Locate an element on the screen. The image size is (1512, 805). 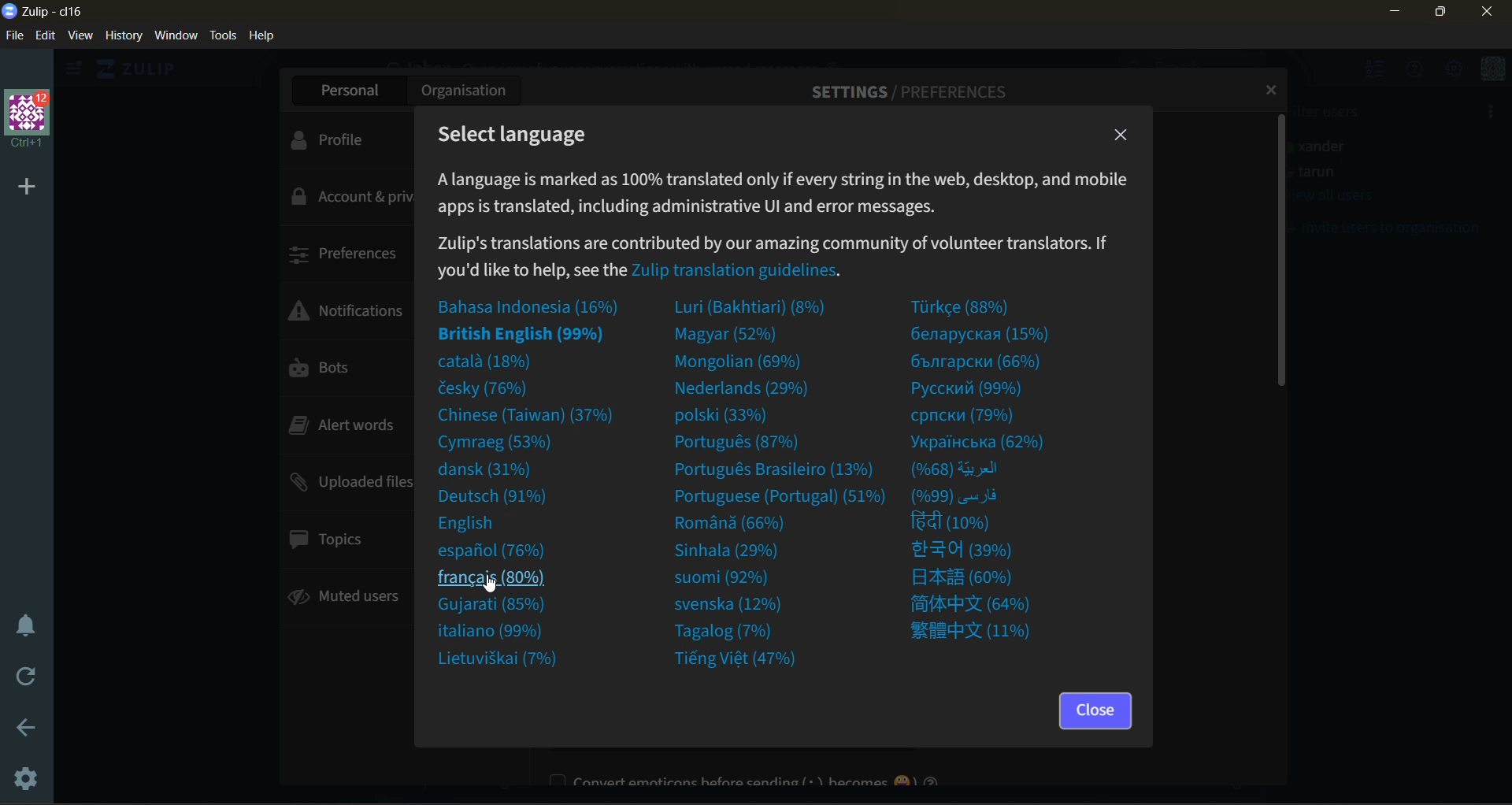
english is located at coordinates (480, 525).